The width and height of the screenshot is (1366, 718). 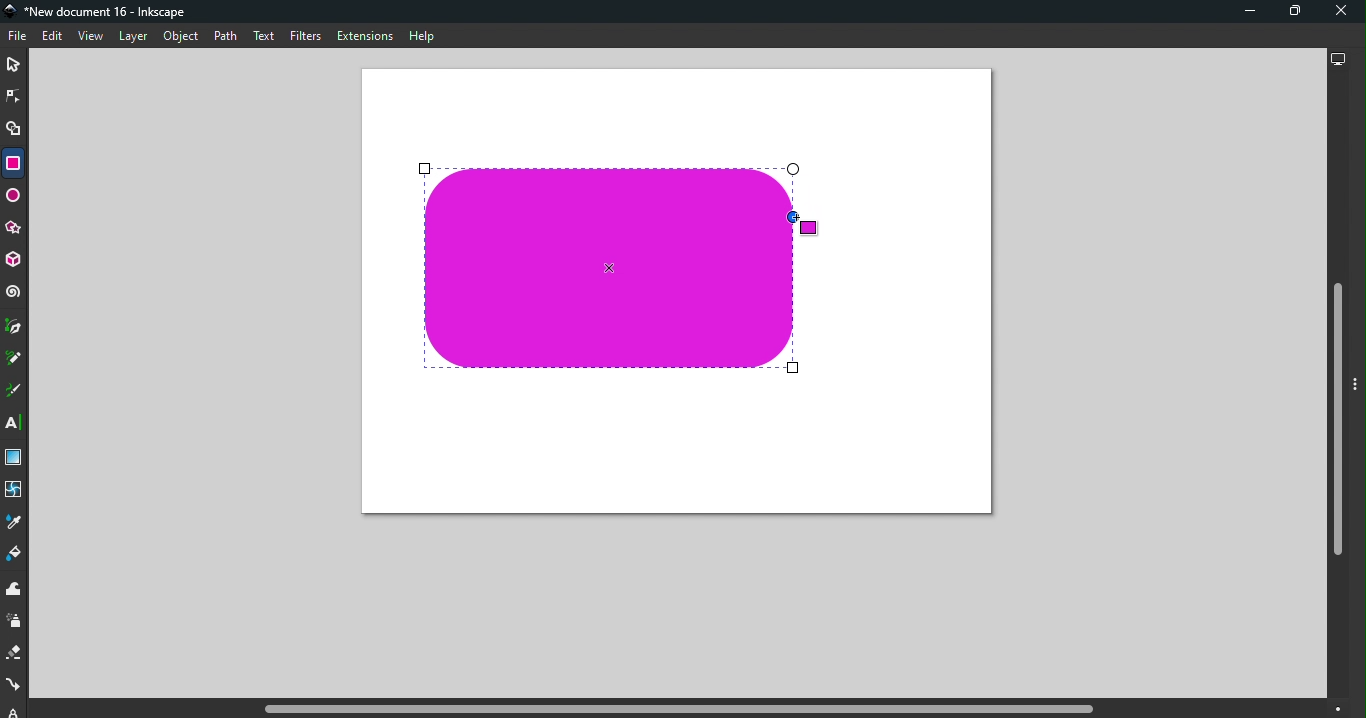 What do you see at coordinates (89, 36) in the screenshot?
I see `View` at bounding box center [89, 36].